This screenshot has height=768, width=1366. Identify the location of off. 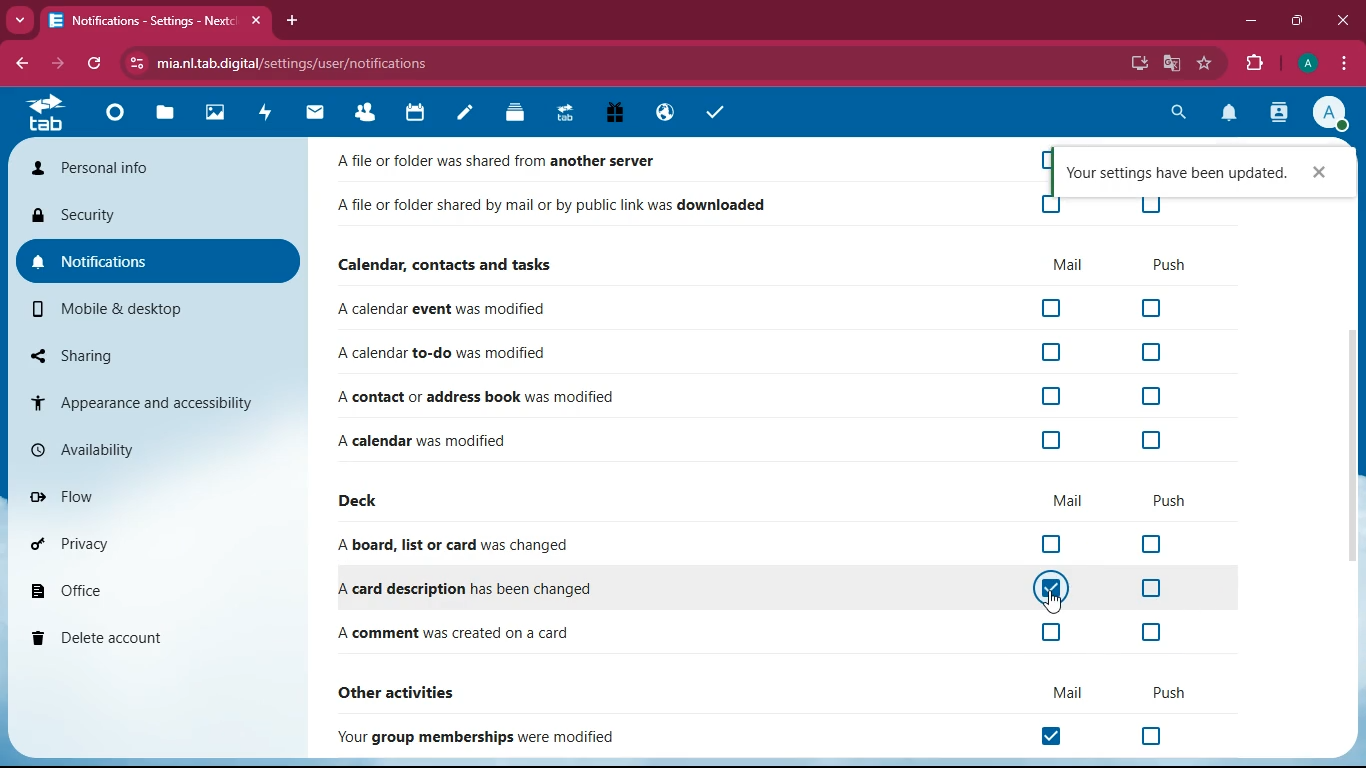
(1047, 396).